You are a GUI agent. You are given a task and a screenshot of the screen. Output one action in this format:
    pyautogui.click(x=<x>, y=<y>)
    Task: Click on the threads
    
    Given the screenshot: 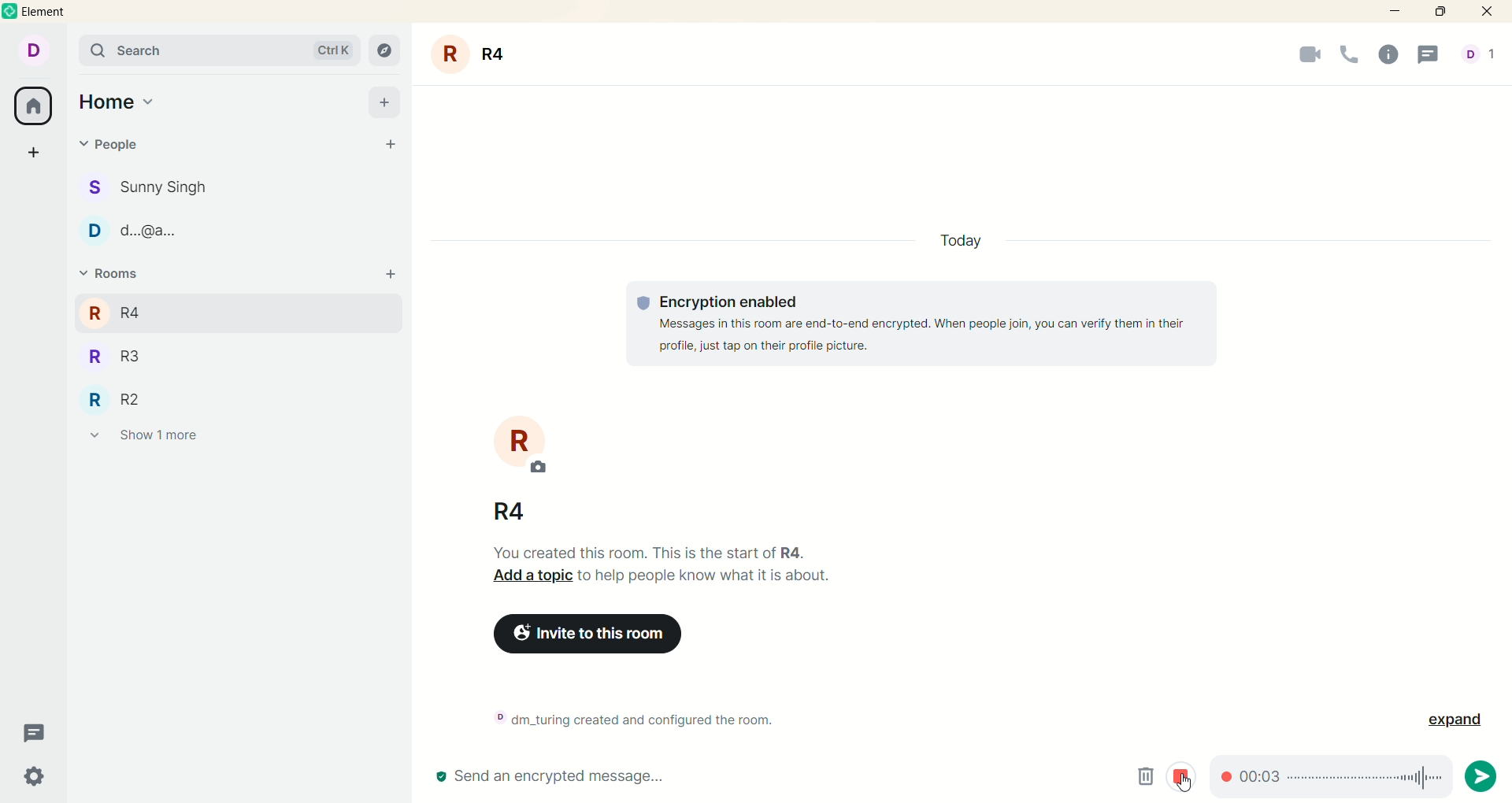 What is the action you would take?
    pyautogui.click(x=36, y=734)
    